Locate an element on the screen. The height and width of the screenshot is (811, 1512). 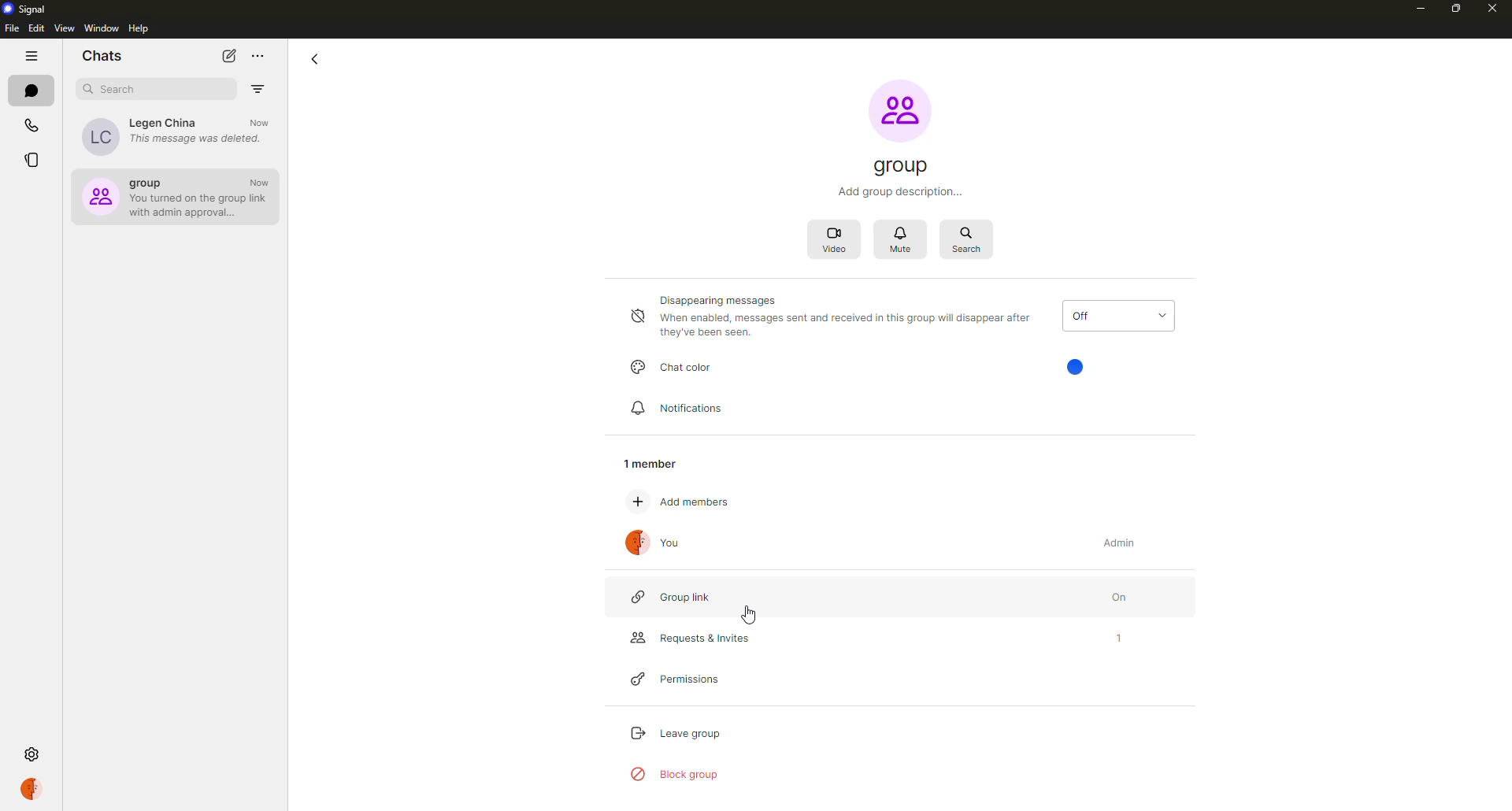
edit is located at coordinates (36, 28).